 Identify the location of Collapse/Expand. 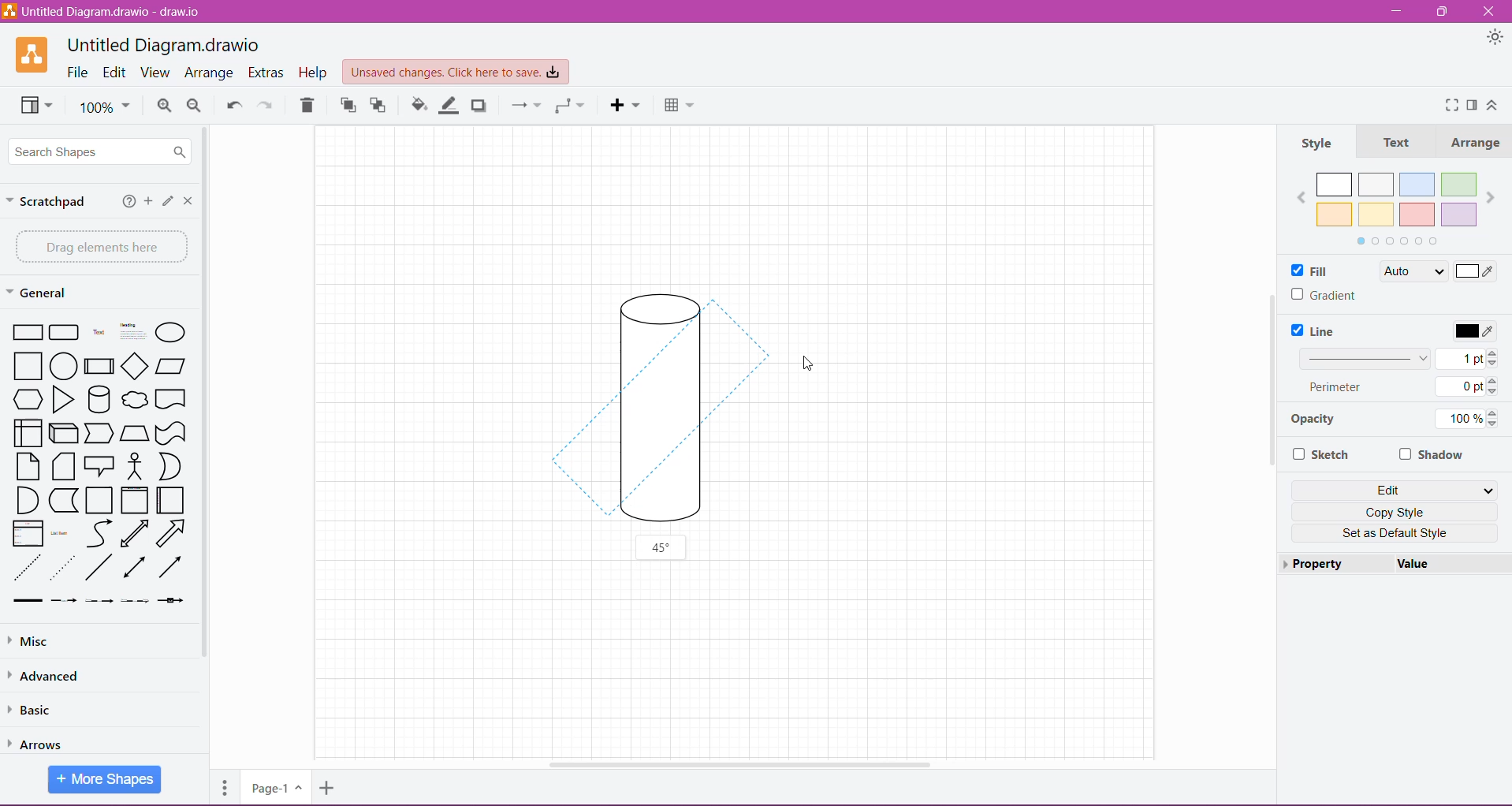
(1493, 105).